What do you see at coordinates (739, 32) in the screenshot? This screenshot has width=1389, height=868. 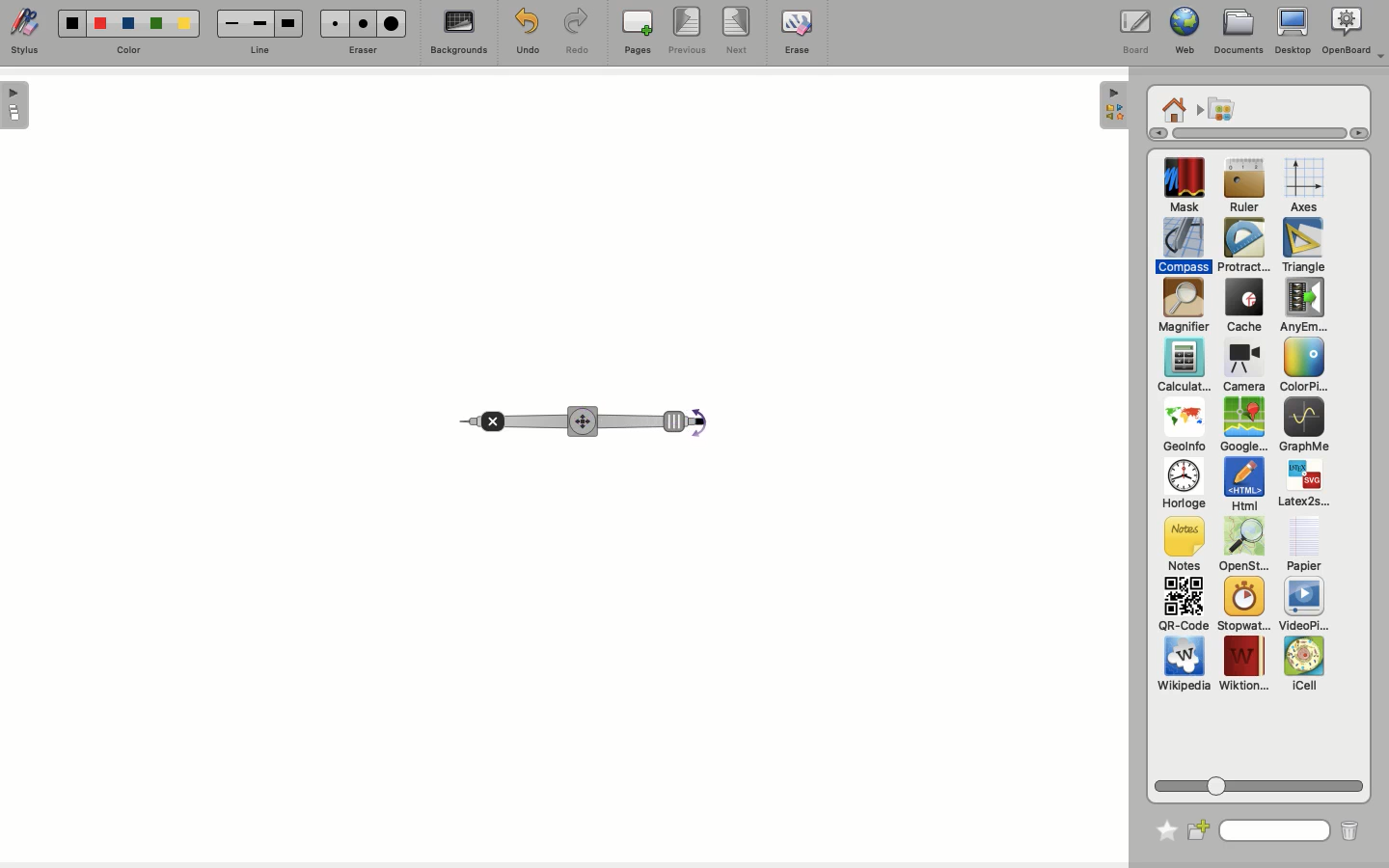 I see `Next` at bounding box center [739, 32].